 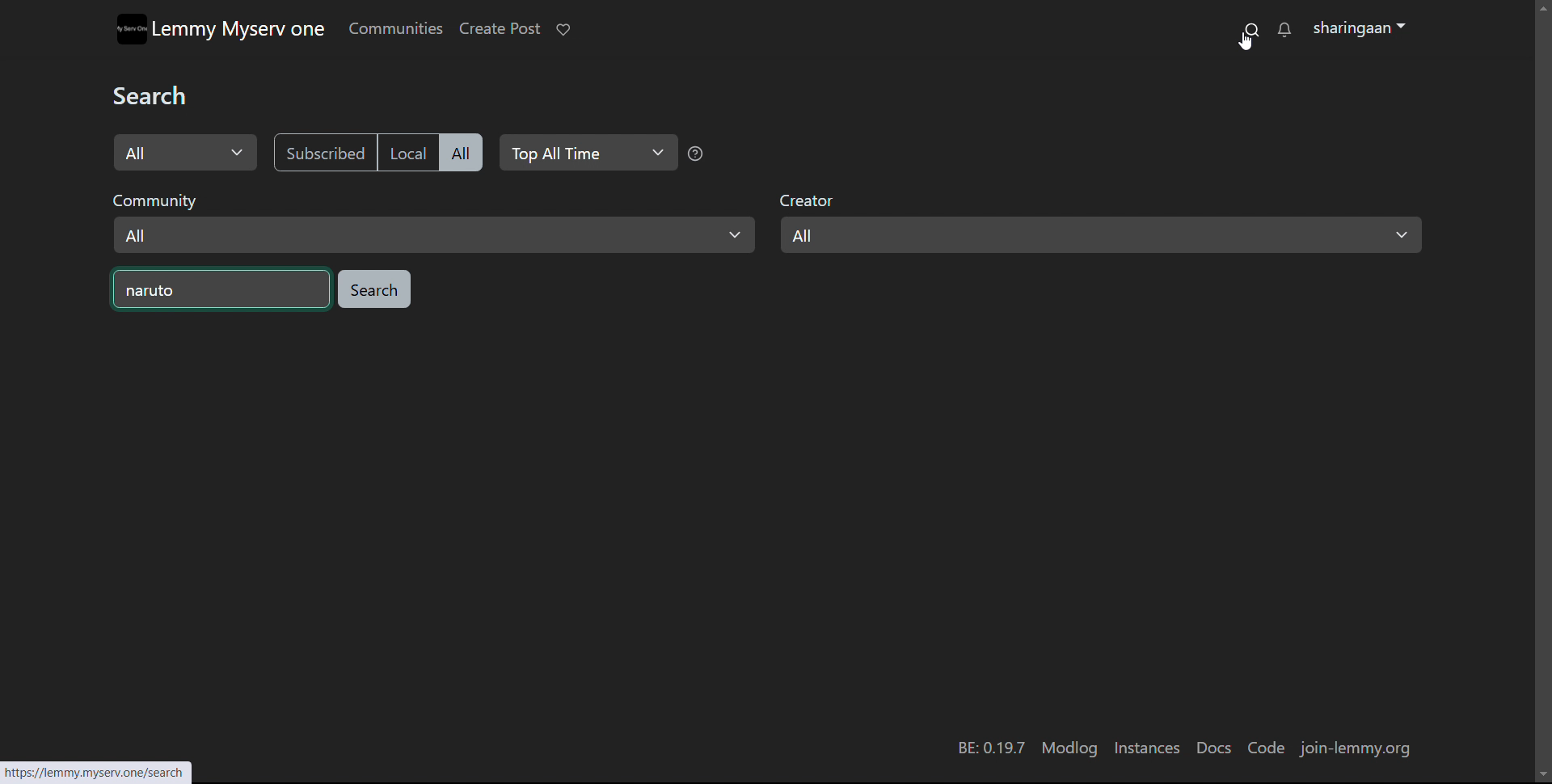 What do you see at coordinates (373, 289) in the screenshot?
I see `search` at bounding box center [373, 289].